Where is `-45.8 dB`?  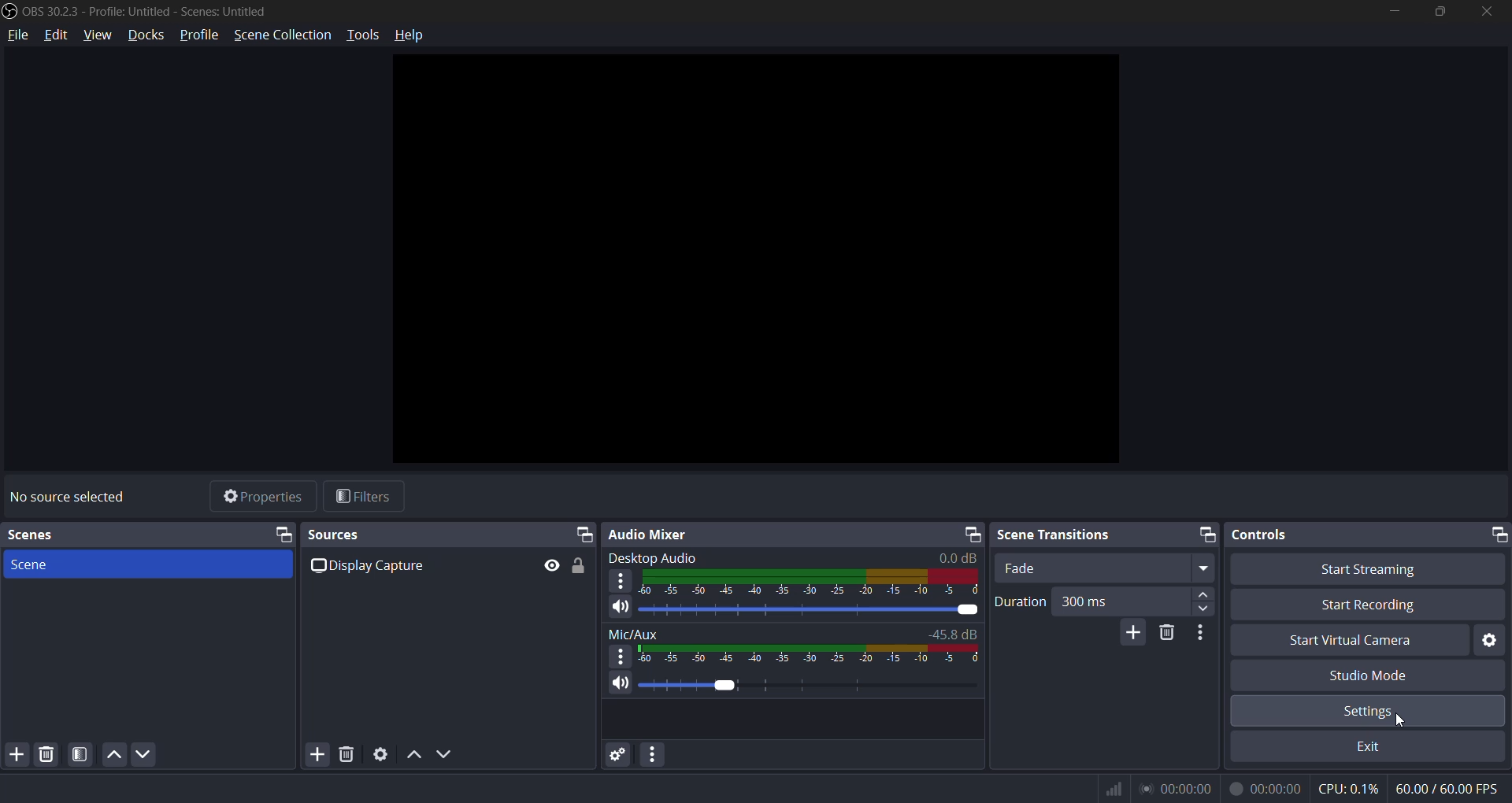 -45.8 dB is located at coordinates (951, 635).